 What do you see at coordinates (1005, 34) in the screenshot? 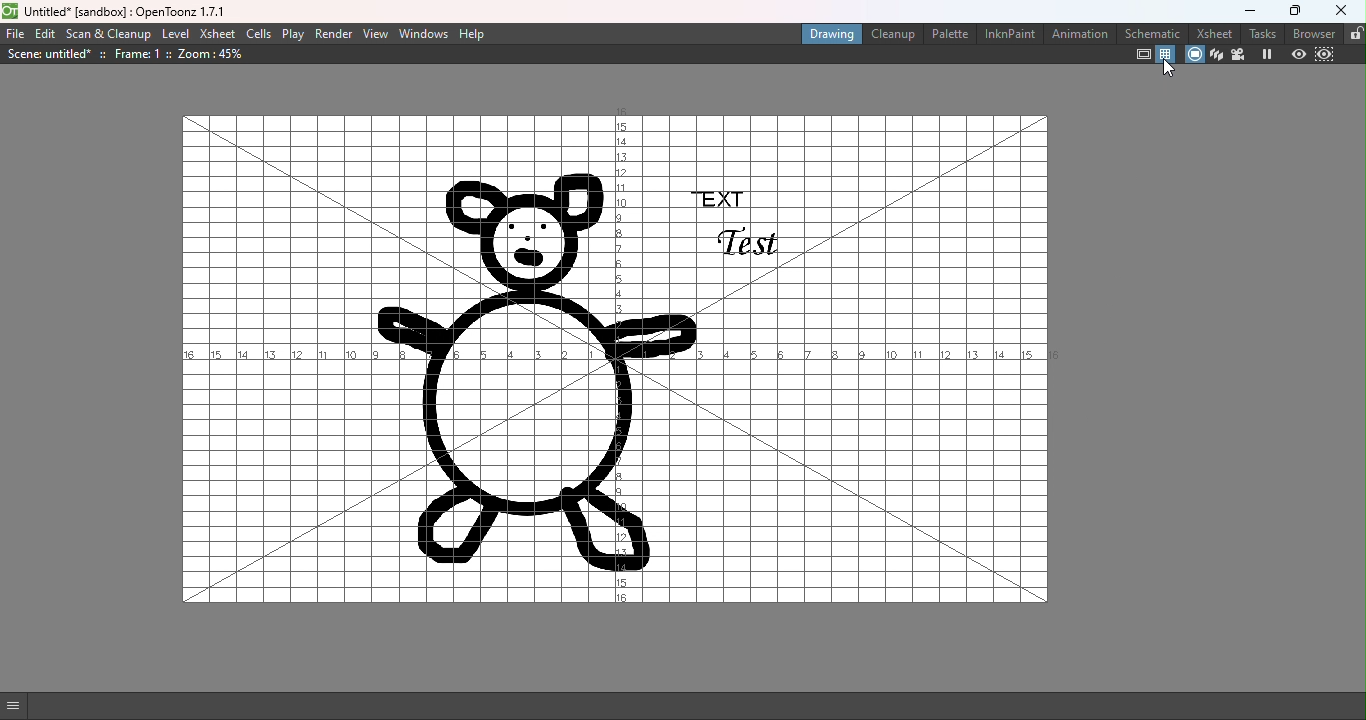
I see `InknPaint` at bounding box center [1005, 34].